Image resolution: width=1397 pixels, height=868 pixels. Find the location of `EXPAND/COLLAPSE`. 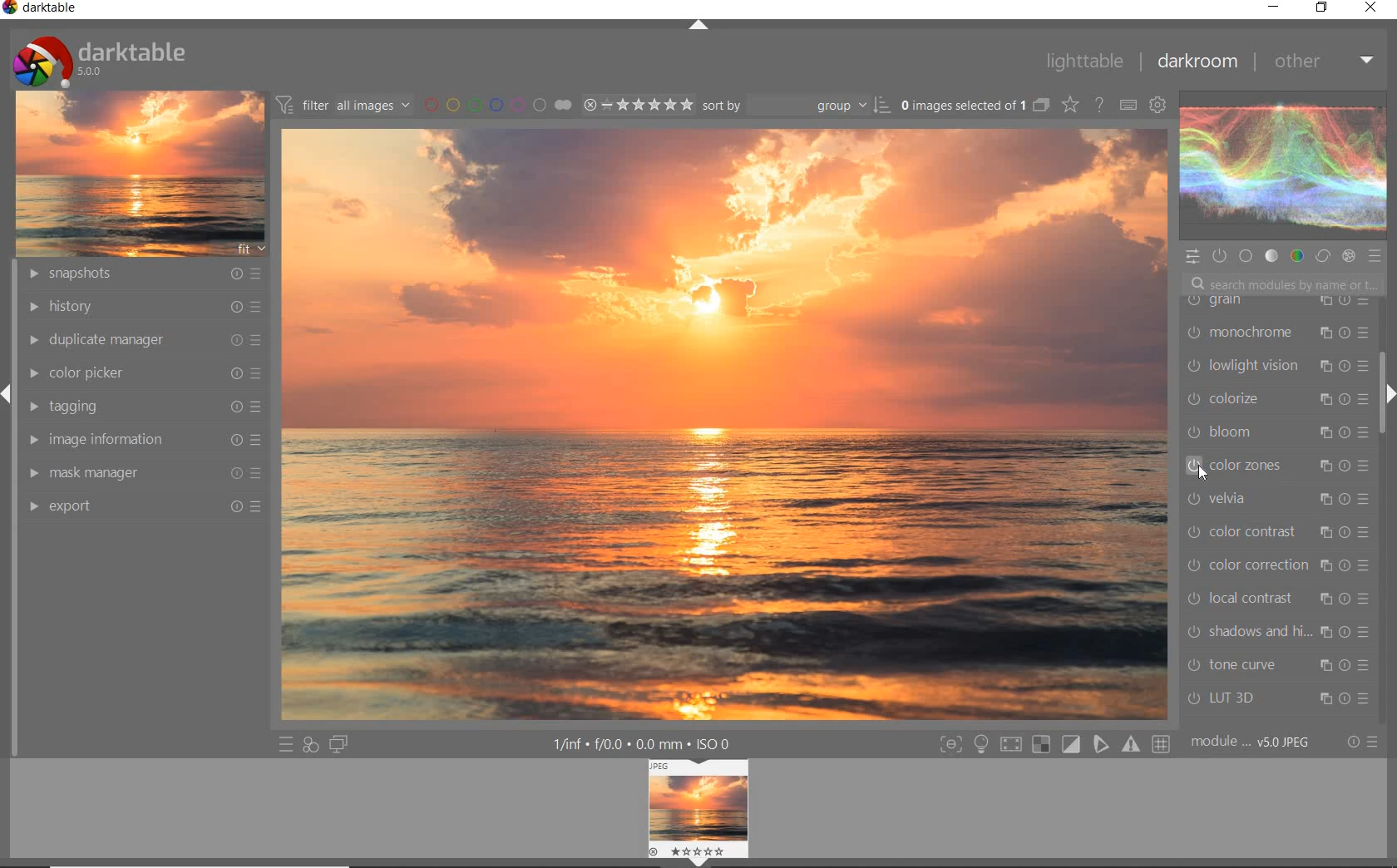

EXPAND/COLLAPSE is located at coordinates (698, 26).